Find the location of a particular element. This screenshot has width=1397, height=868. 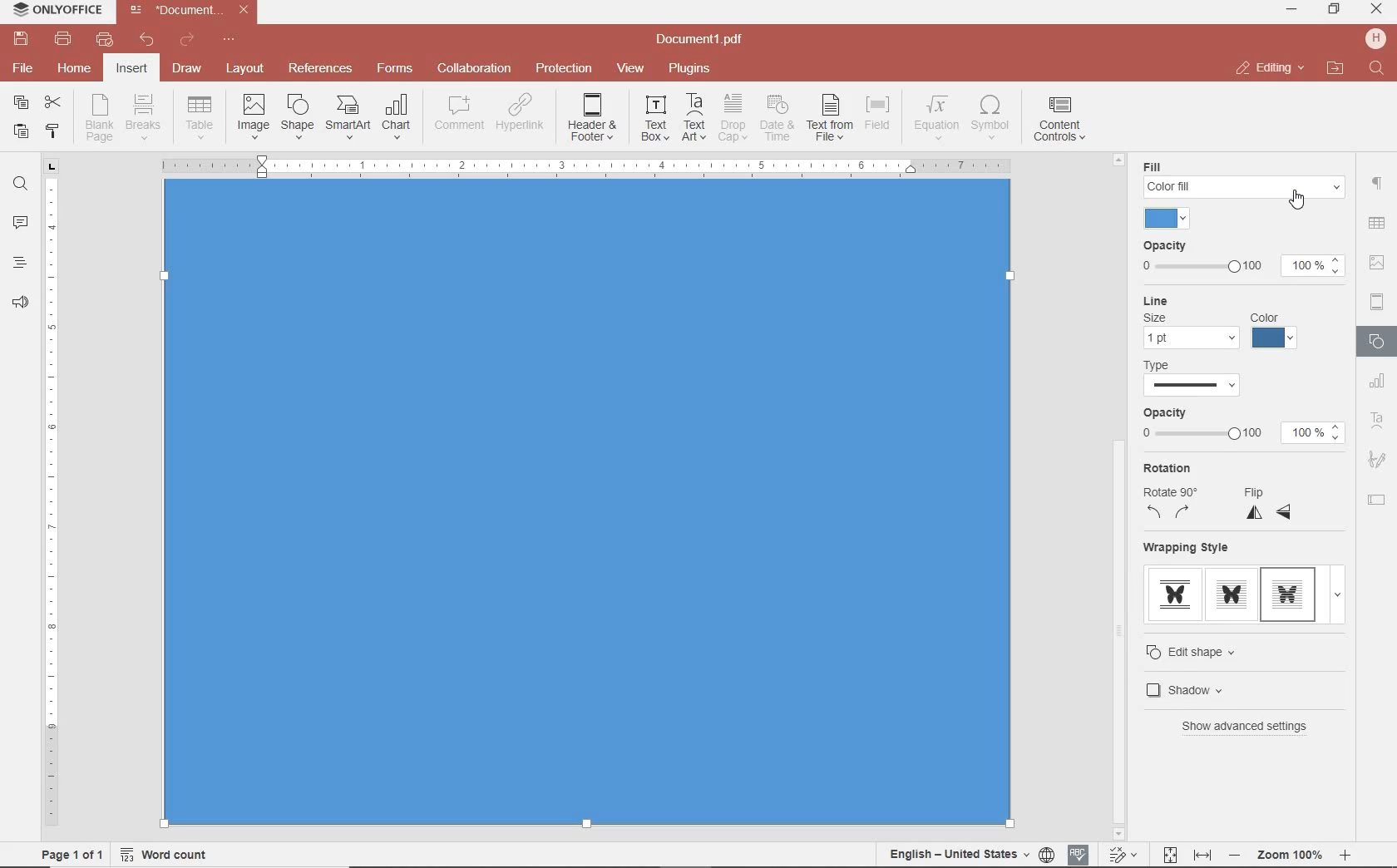

SIGNATURE is located at coordinates (1377, 461).